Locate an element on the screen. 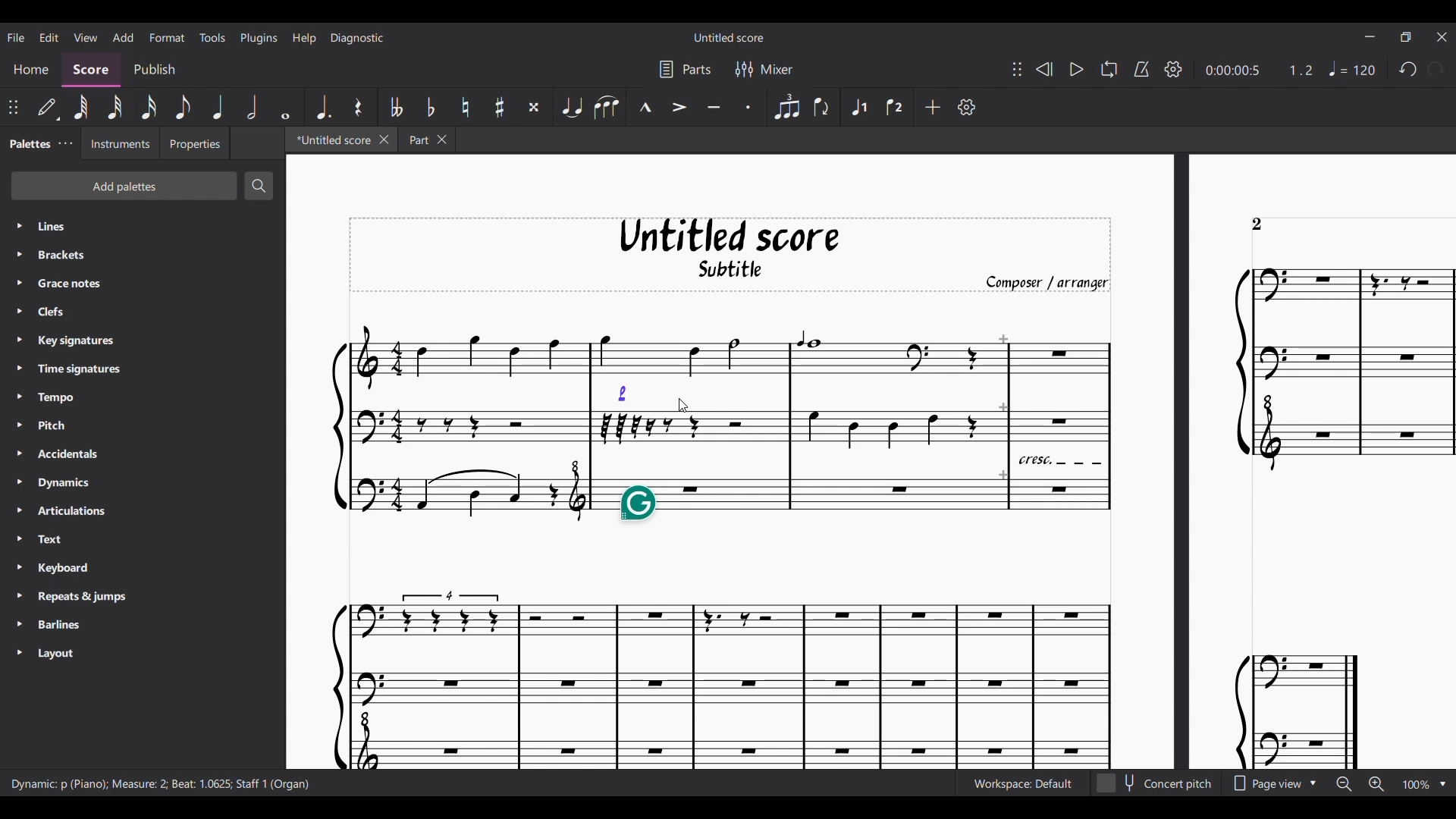  Playback setting is located at coordinates (1173, 69).